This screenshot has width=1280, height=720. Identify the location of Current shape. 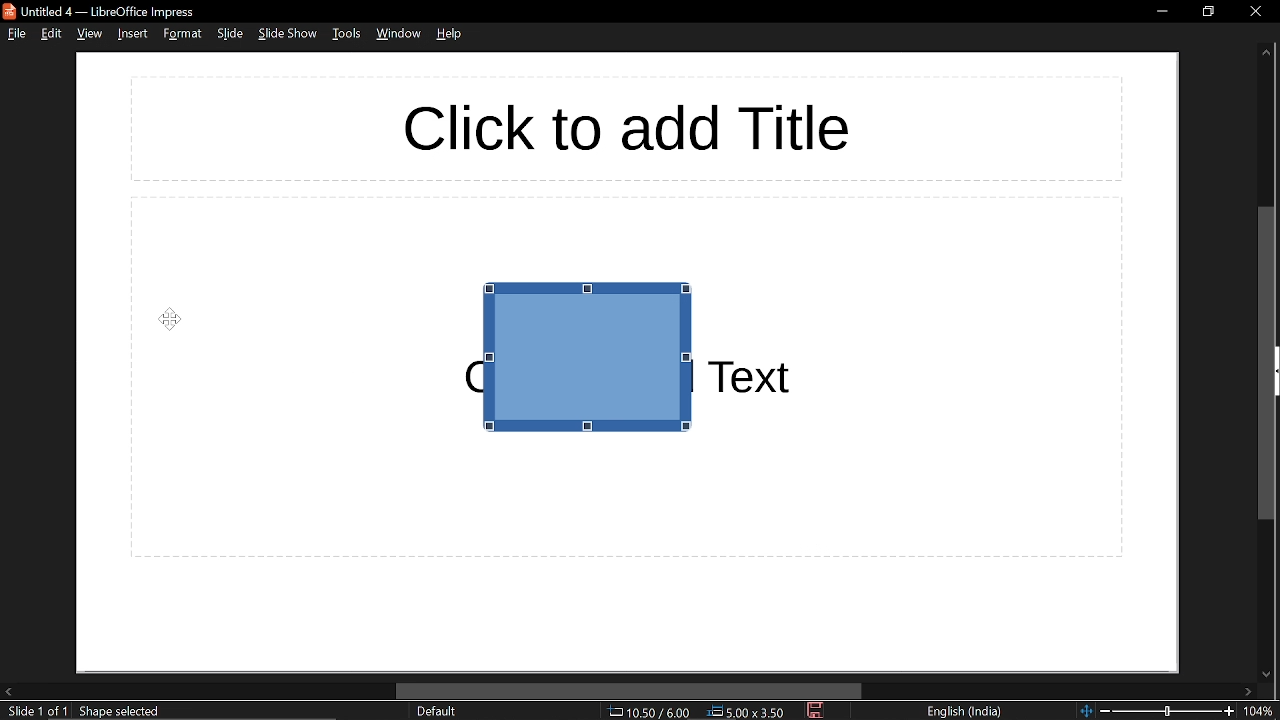
(610, 360).